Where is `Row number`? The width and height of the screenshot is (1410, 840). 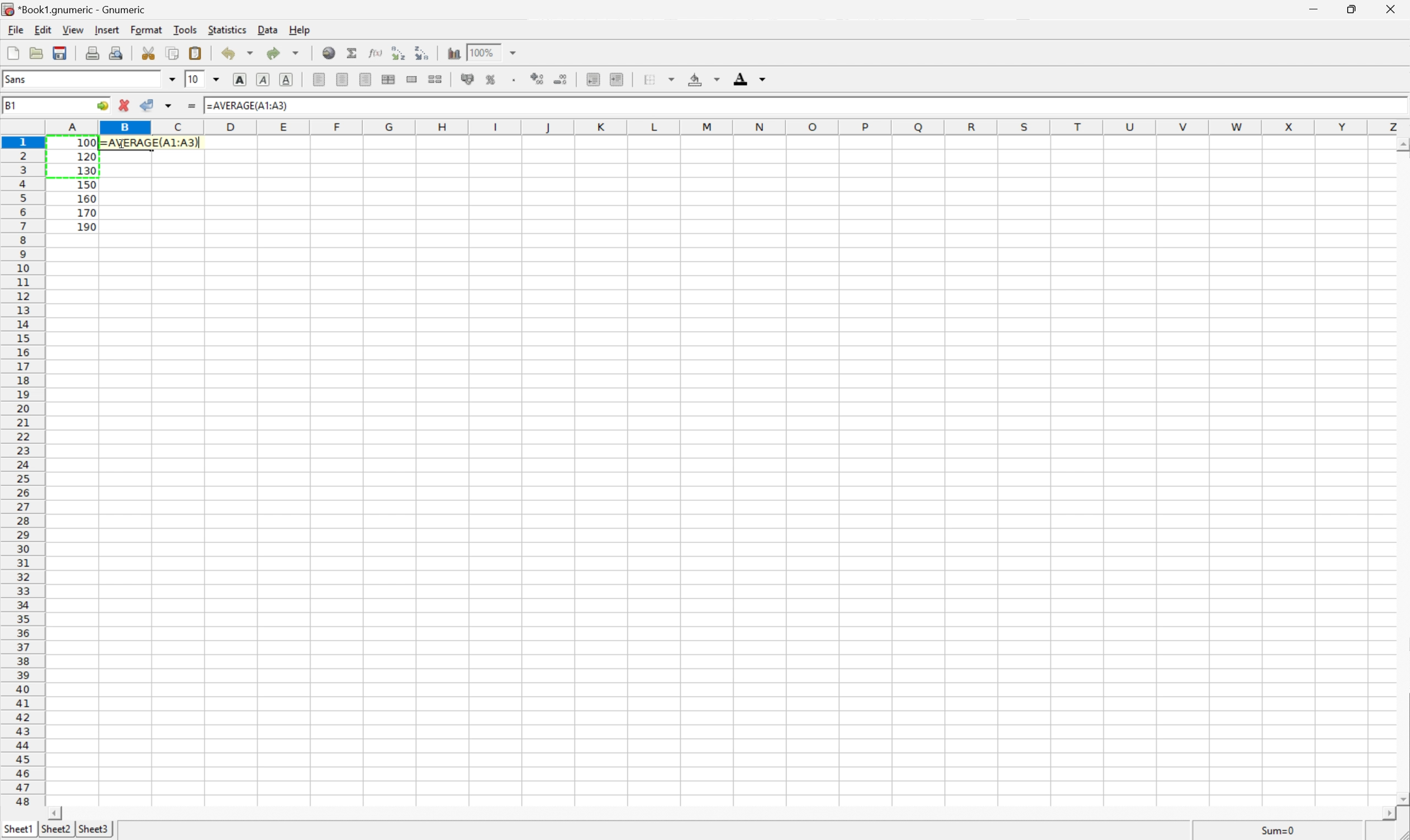
Row number is located at coordinates (22, 472).